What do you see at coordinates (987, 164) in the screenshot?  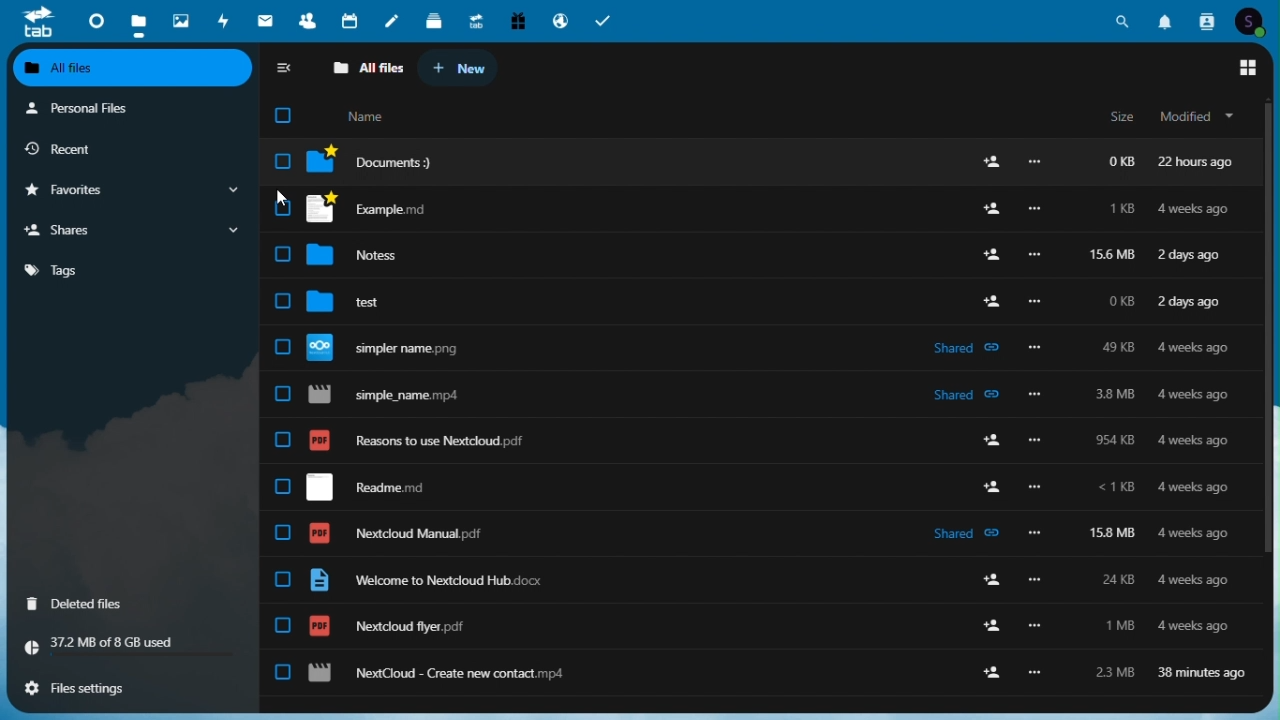 I see `add user` at bounding box center [987, 164].